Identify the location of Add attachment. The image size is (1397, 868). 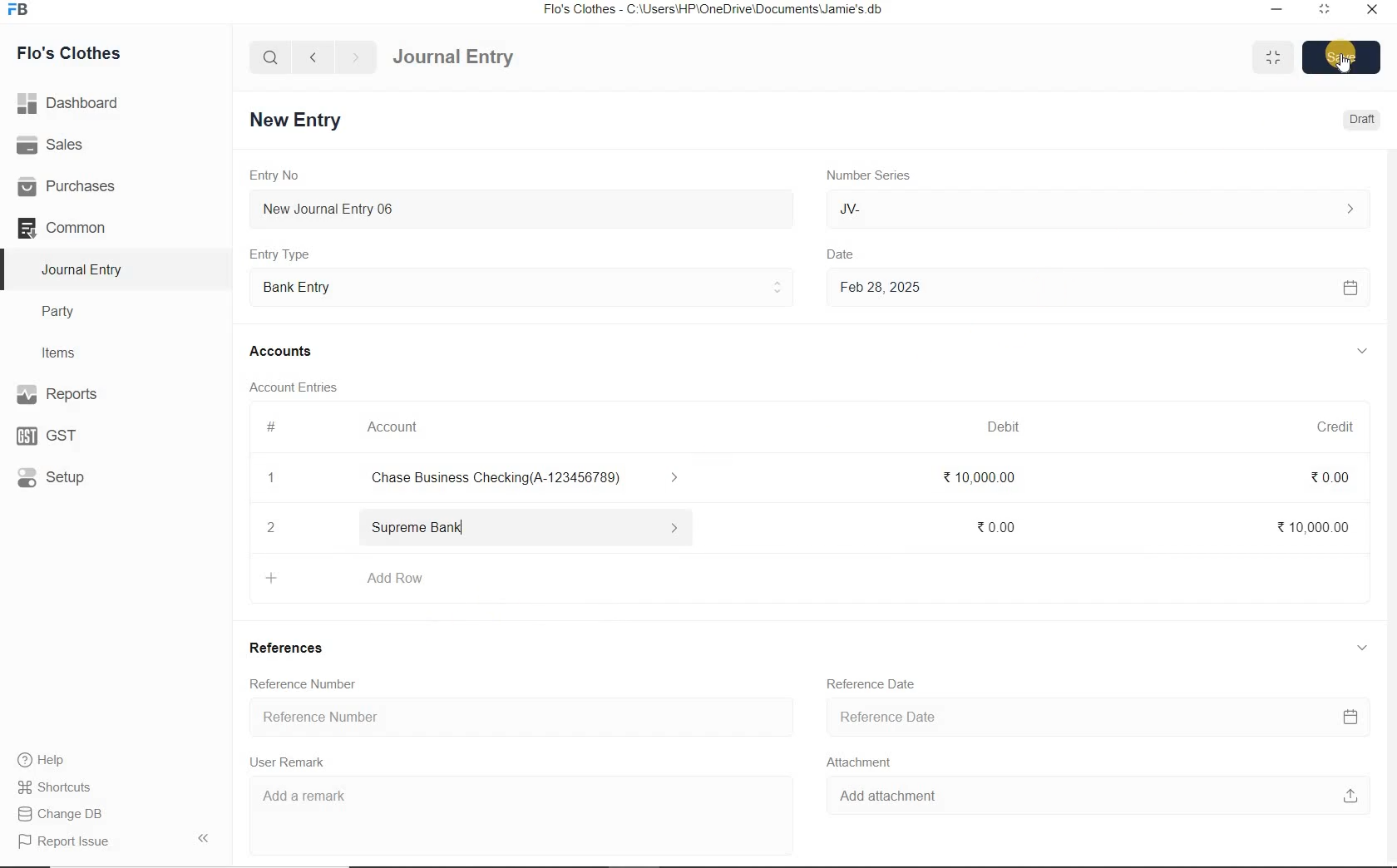
(1098, 799).